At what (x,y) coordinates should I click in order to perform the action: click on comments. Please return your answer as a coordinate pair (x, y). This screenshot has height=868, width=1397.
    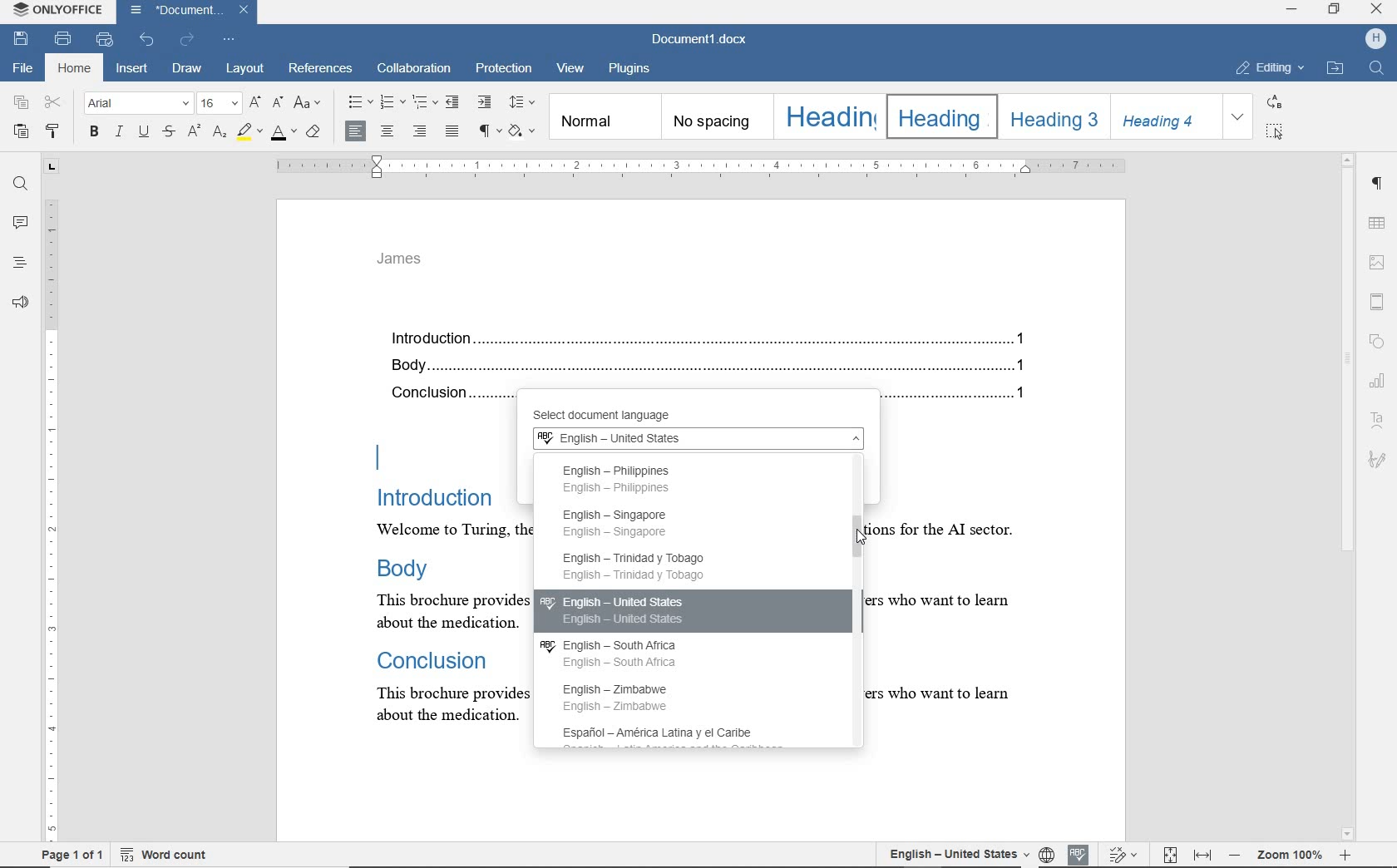
    Looking at the image, I should click on (19, 223).